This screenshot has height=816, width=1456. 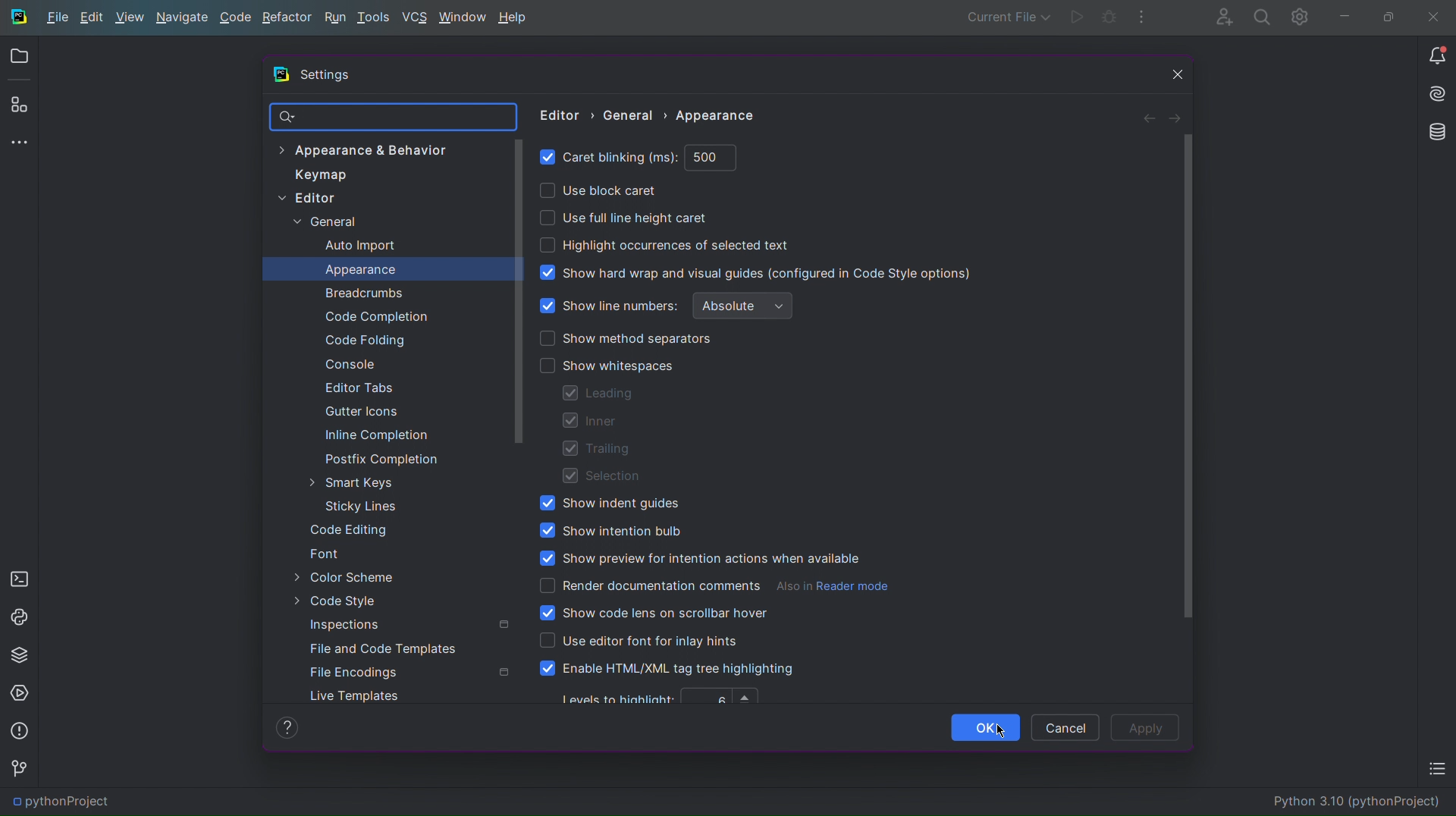 What do you see at coordinates (1259, 17) in the screenshot?
I see `Search` at bounding box center [1259, 17].